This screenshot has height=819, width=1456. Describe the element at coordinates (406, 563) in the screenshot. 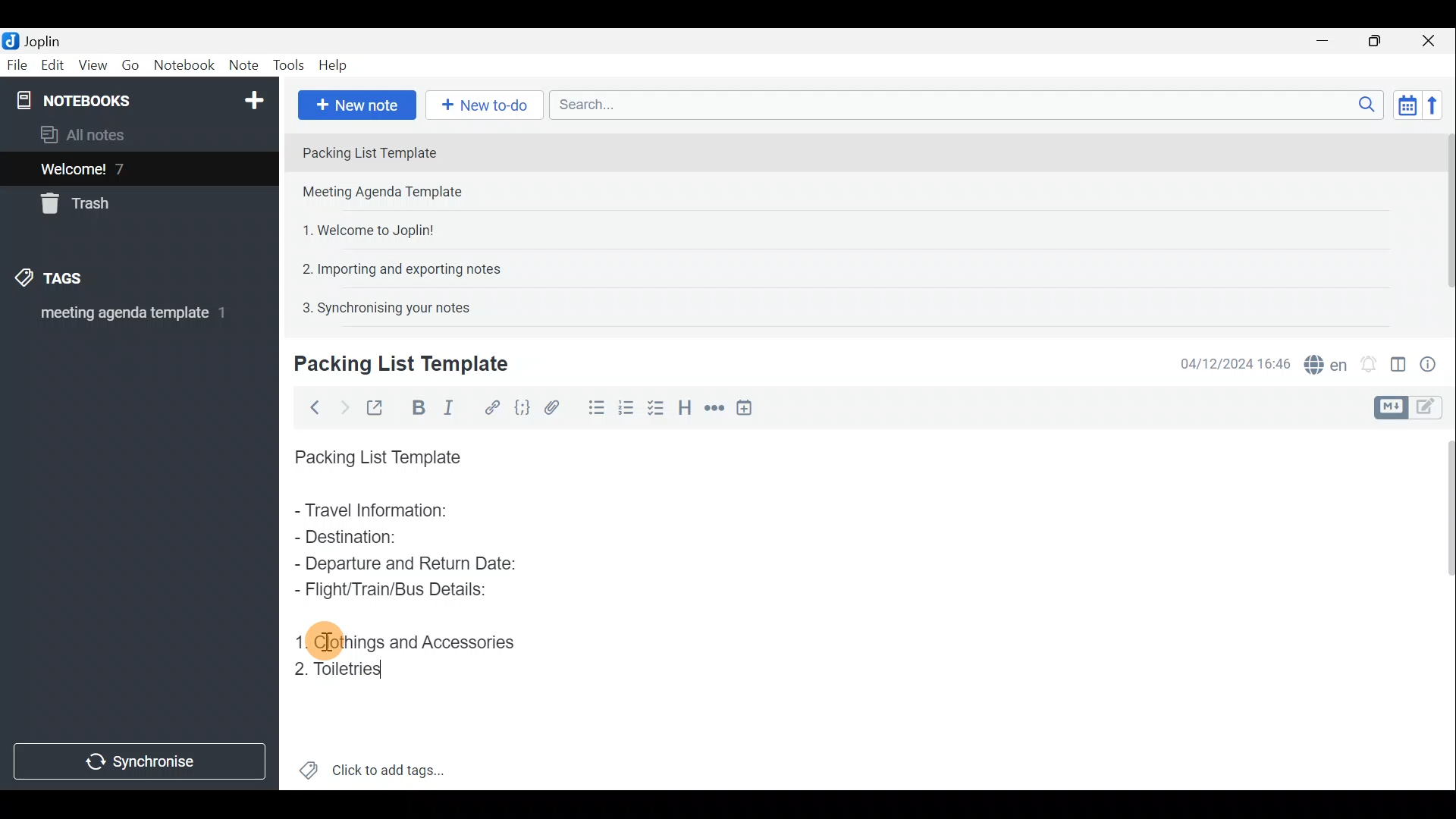

I see `Departure and Return Date:` at that location.